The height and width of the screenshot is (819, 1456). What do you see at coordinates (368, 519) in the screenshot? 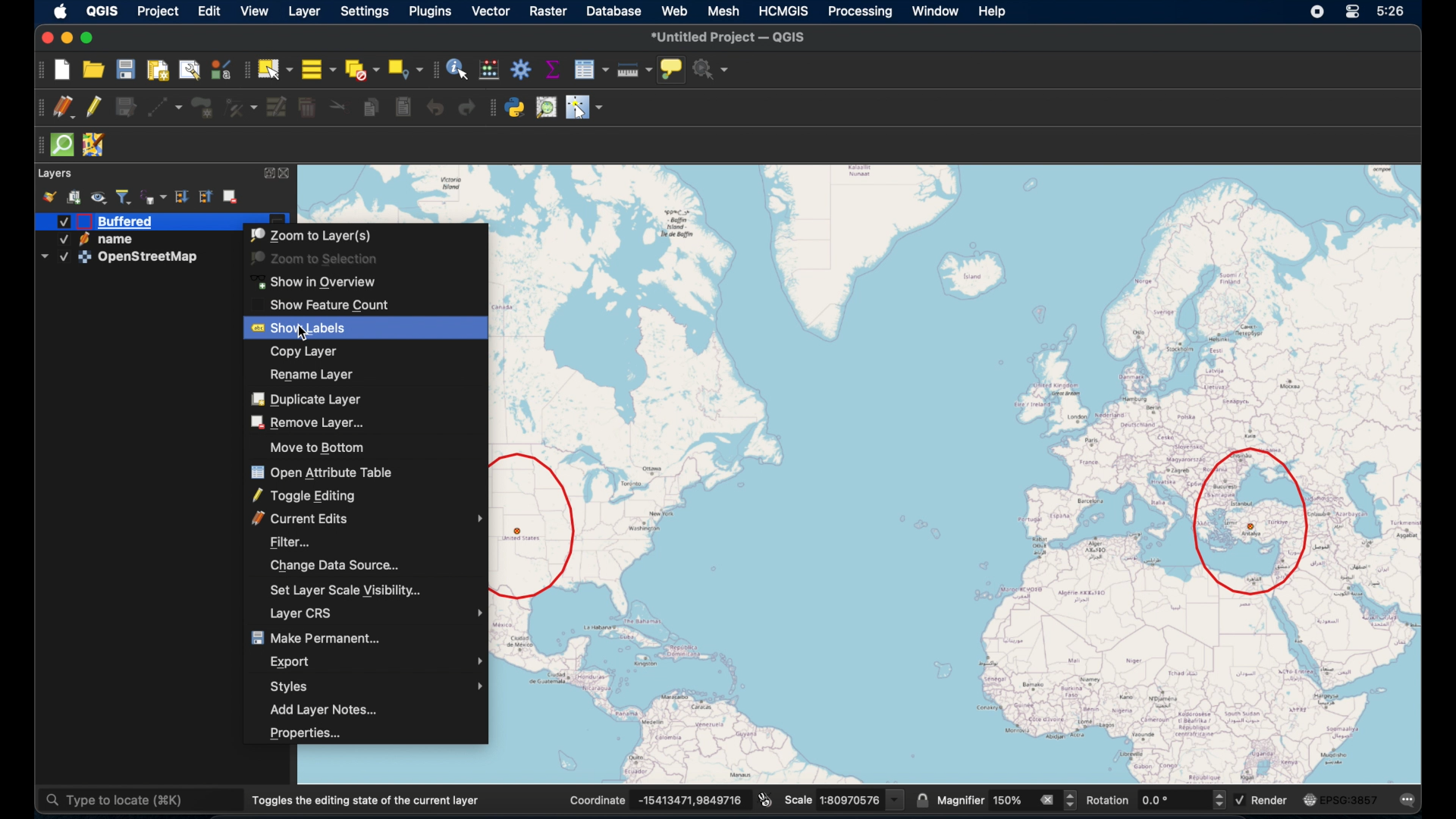
I see `current edits` at bounding box center [368, 519].